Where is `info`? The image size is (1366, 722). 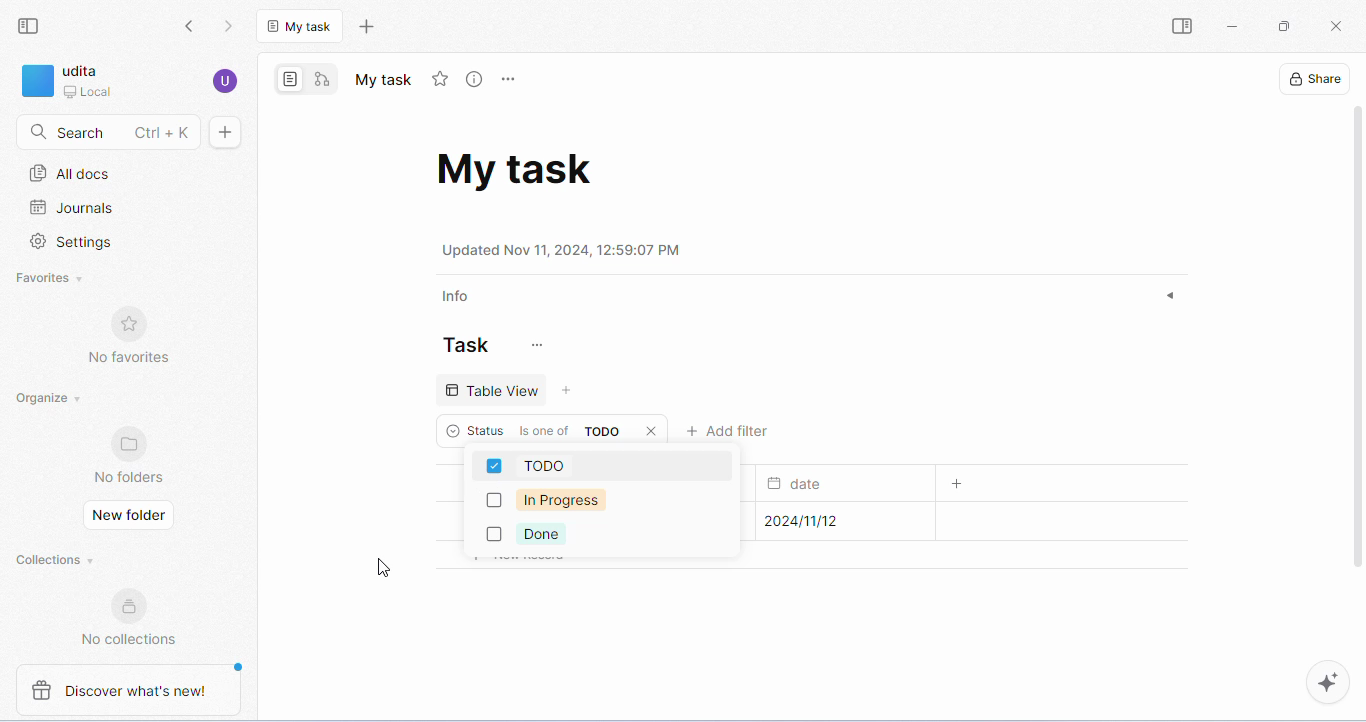 info is located at coordinates (457, 298).